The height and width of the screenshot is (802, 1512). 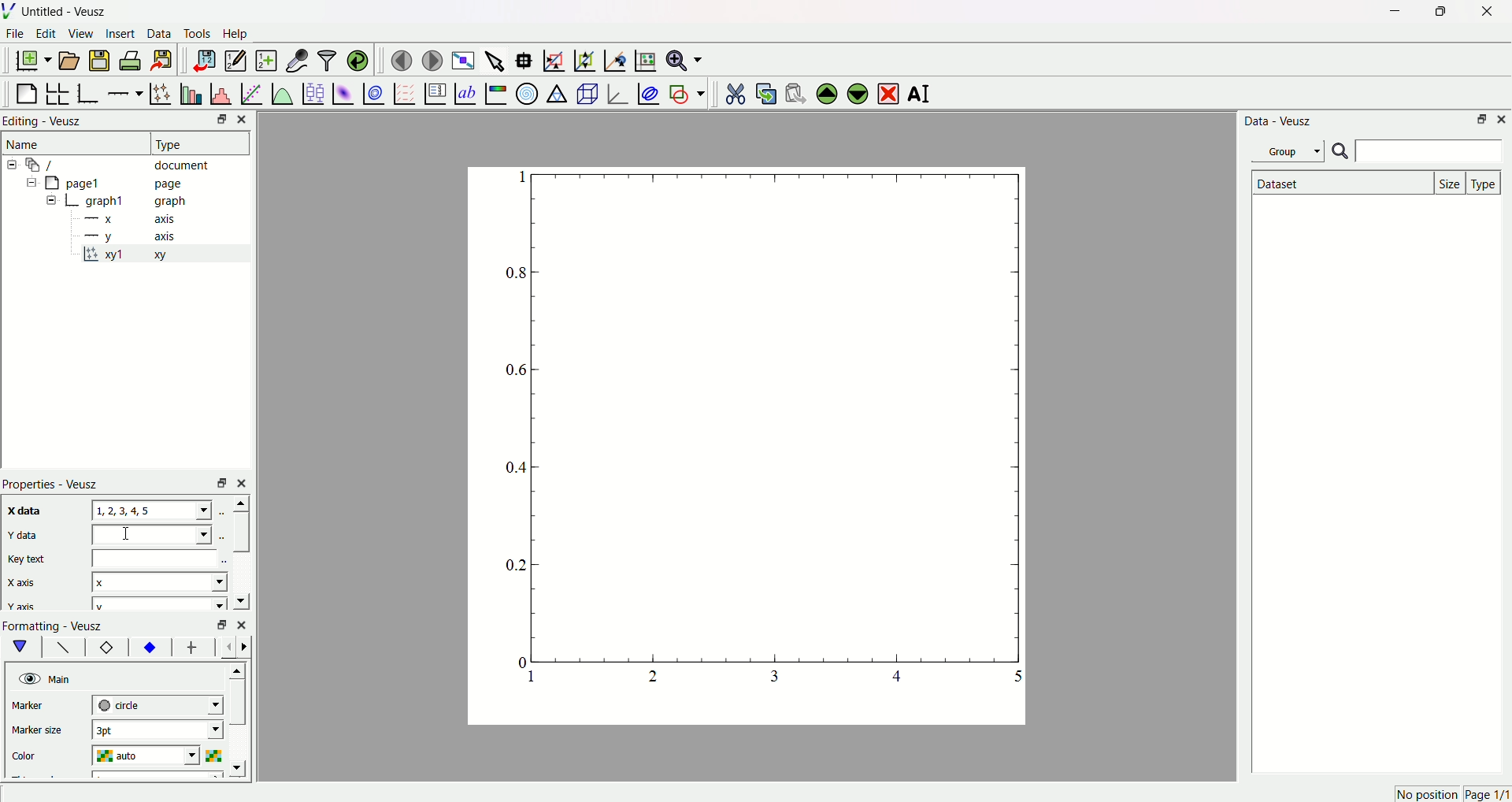 What do you see at coordinates (135, 255) in the screenshot?
I see `xy1 xy` at bounding box center [135, 255].